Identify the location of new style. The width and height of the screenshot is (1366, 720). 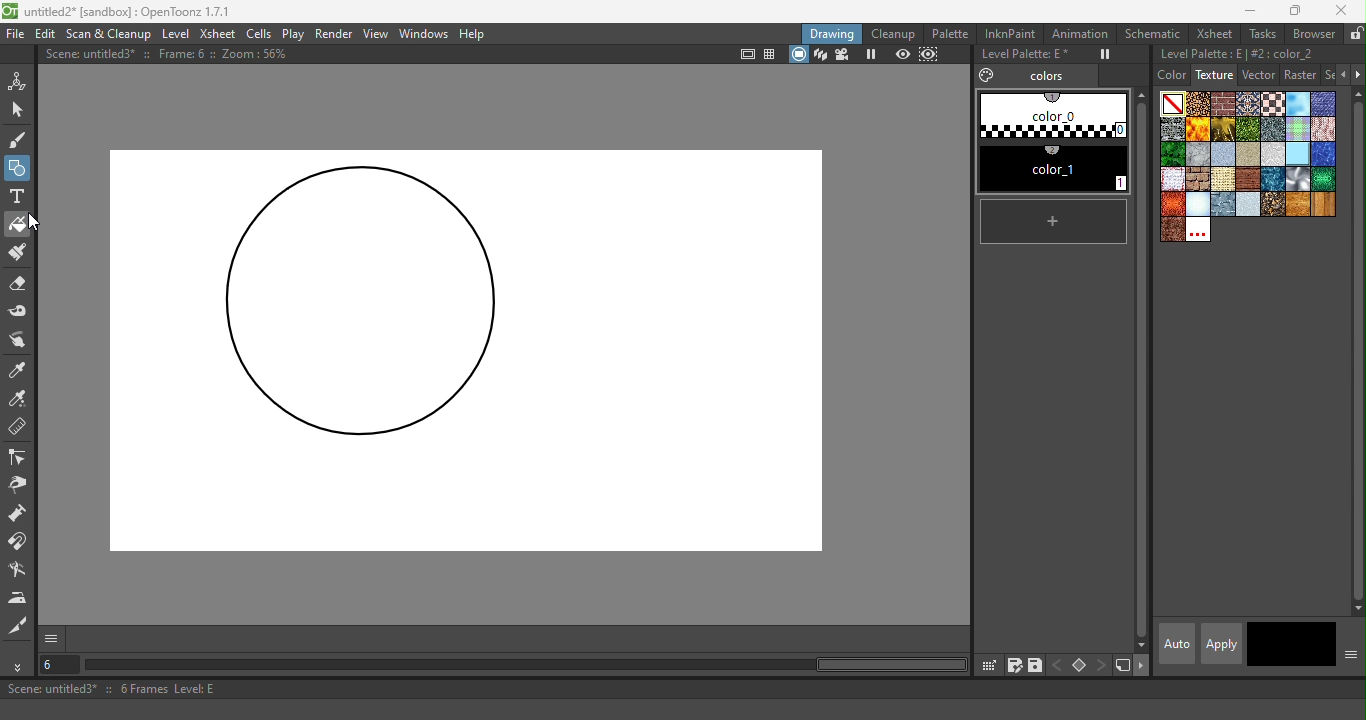
(1122, 666).